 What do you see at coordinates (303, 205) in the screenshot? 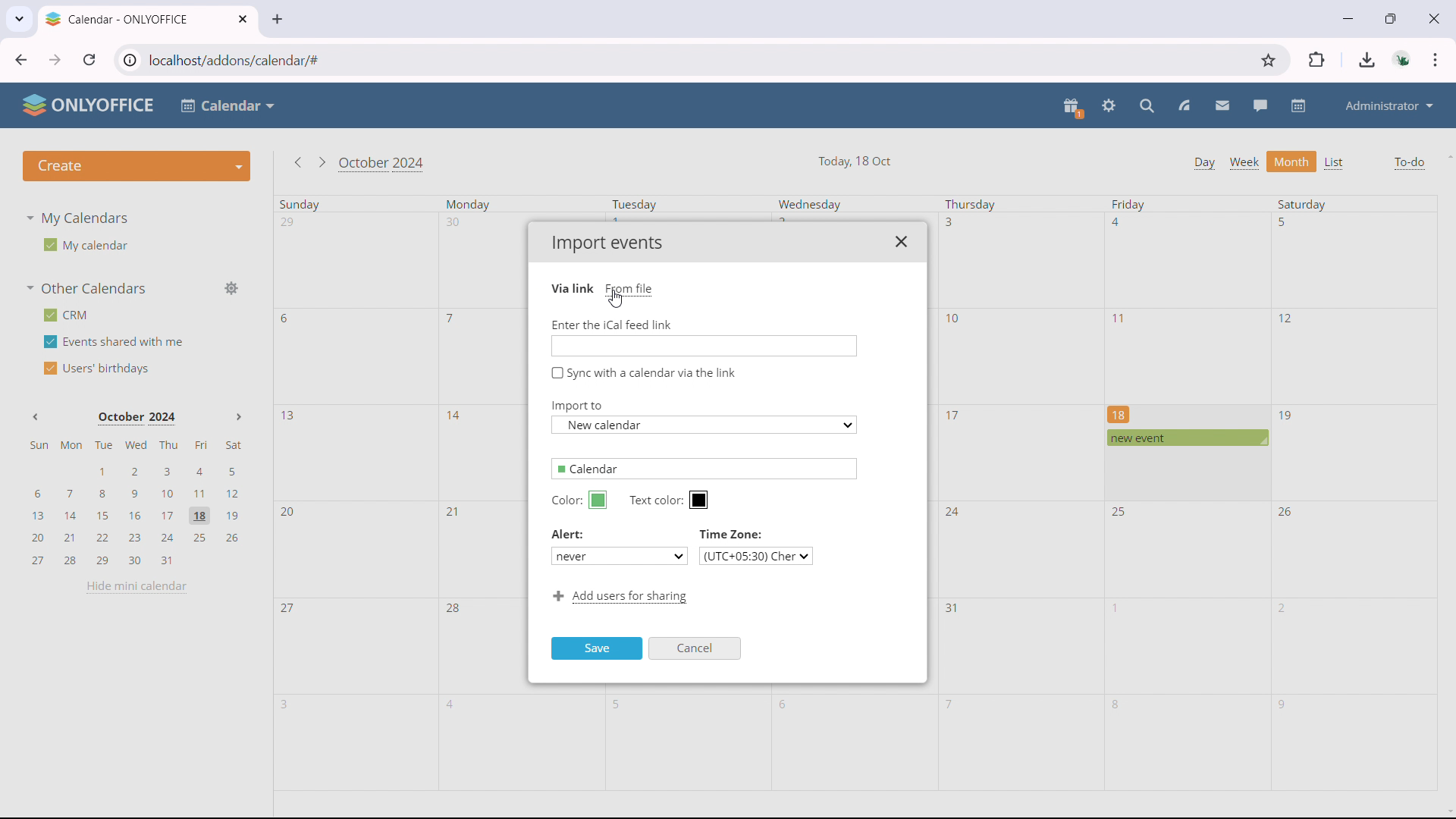
I see `Sunday` at bounding box center [303, 205].